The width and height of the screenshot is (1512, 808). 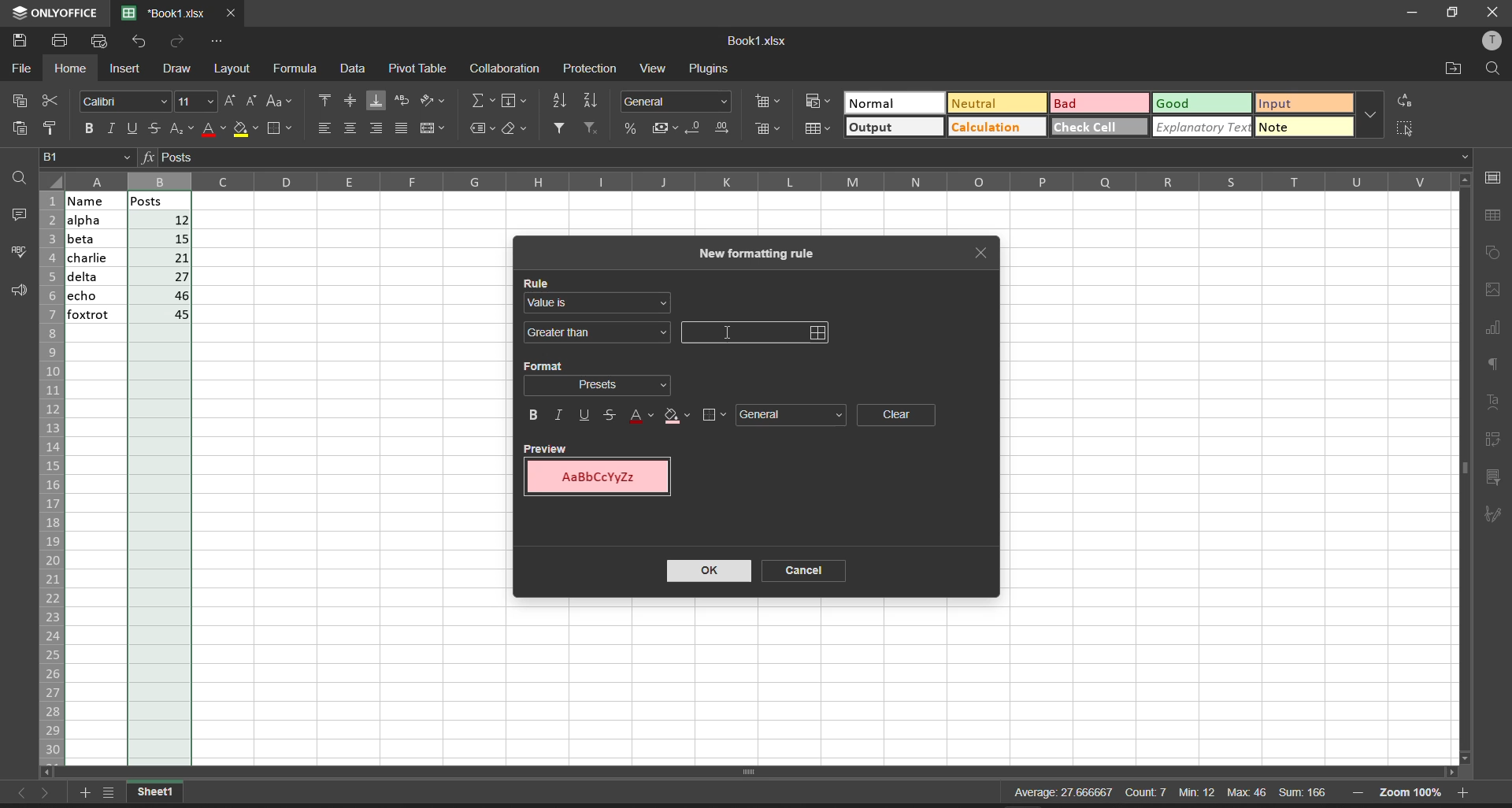 What do you see at coordinates (988, 128) in the screenshot?
I see `Calculation` at bounding box center [988, 128].